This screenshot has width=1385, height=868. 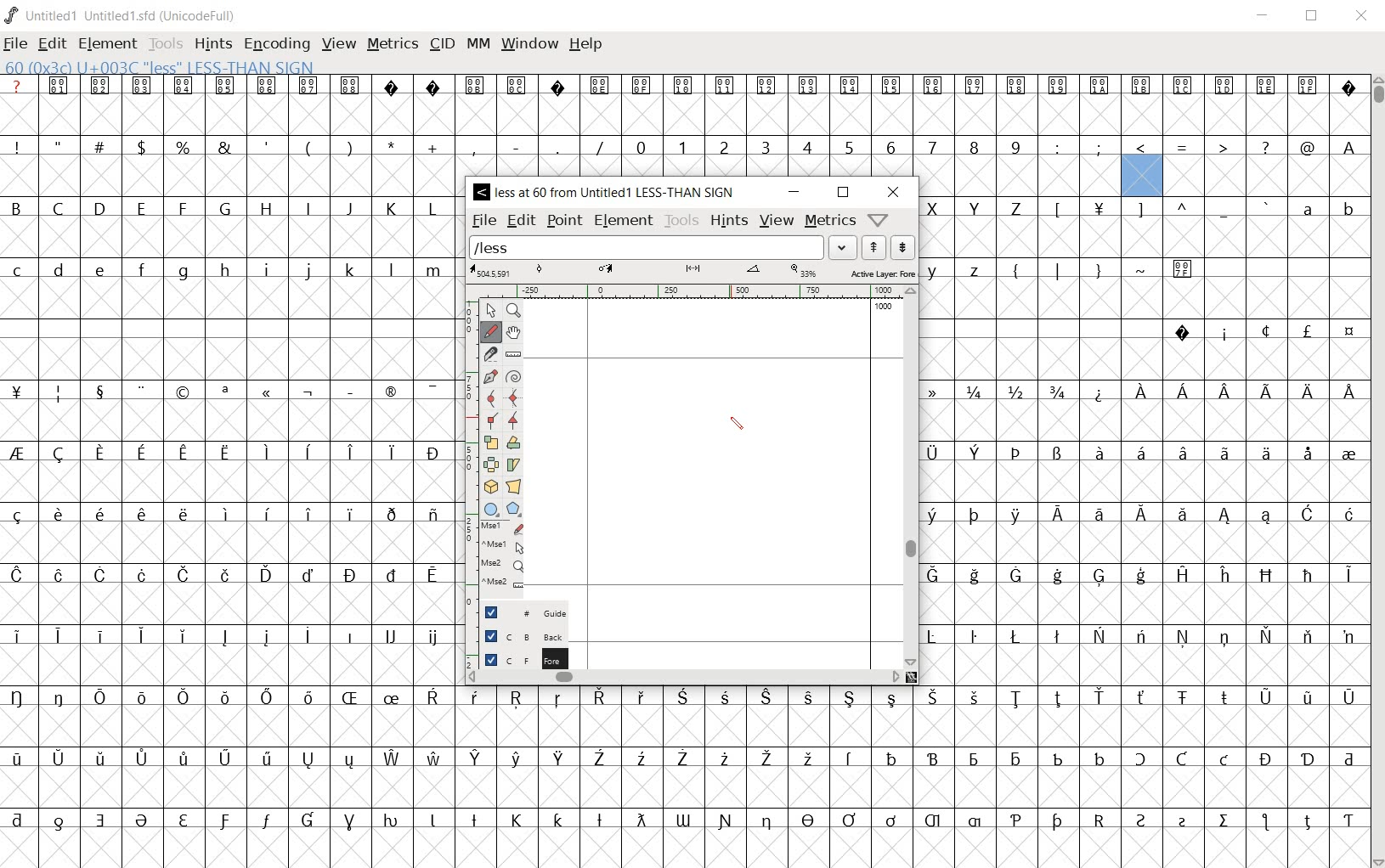 What do you see at coordinates (1143, 482) in the screenshot?
I see `empty cells` at bounding box center [1143, 482].